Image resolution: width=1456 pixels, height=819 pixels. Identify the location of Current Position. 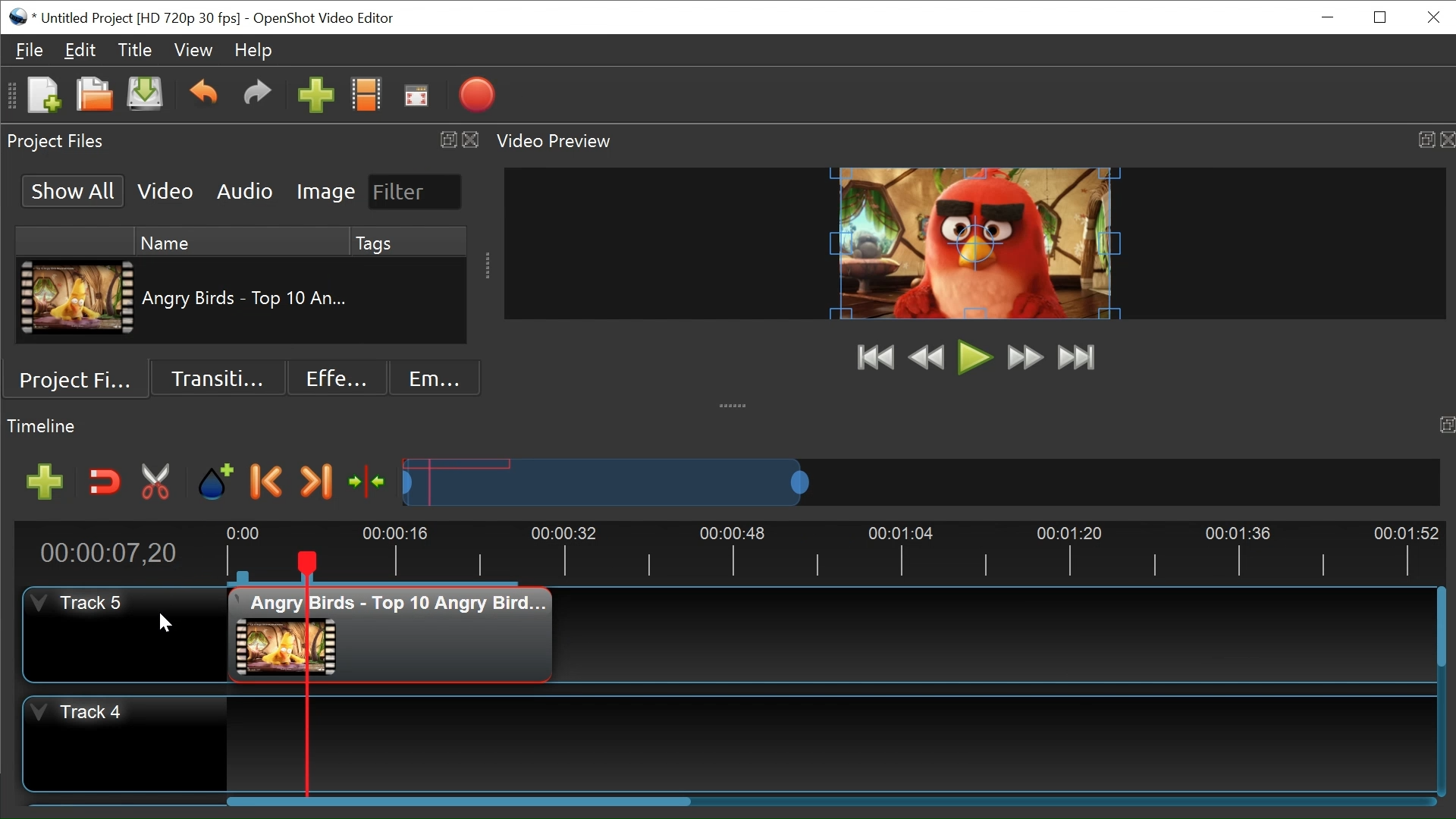
(112, 552).